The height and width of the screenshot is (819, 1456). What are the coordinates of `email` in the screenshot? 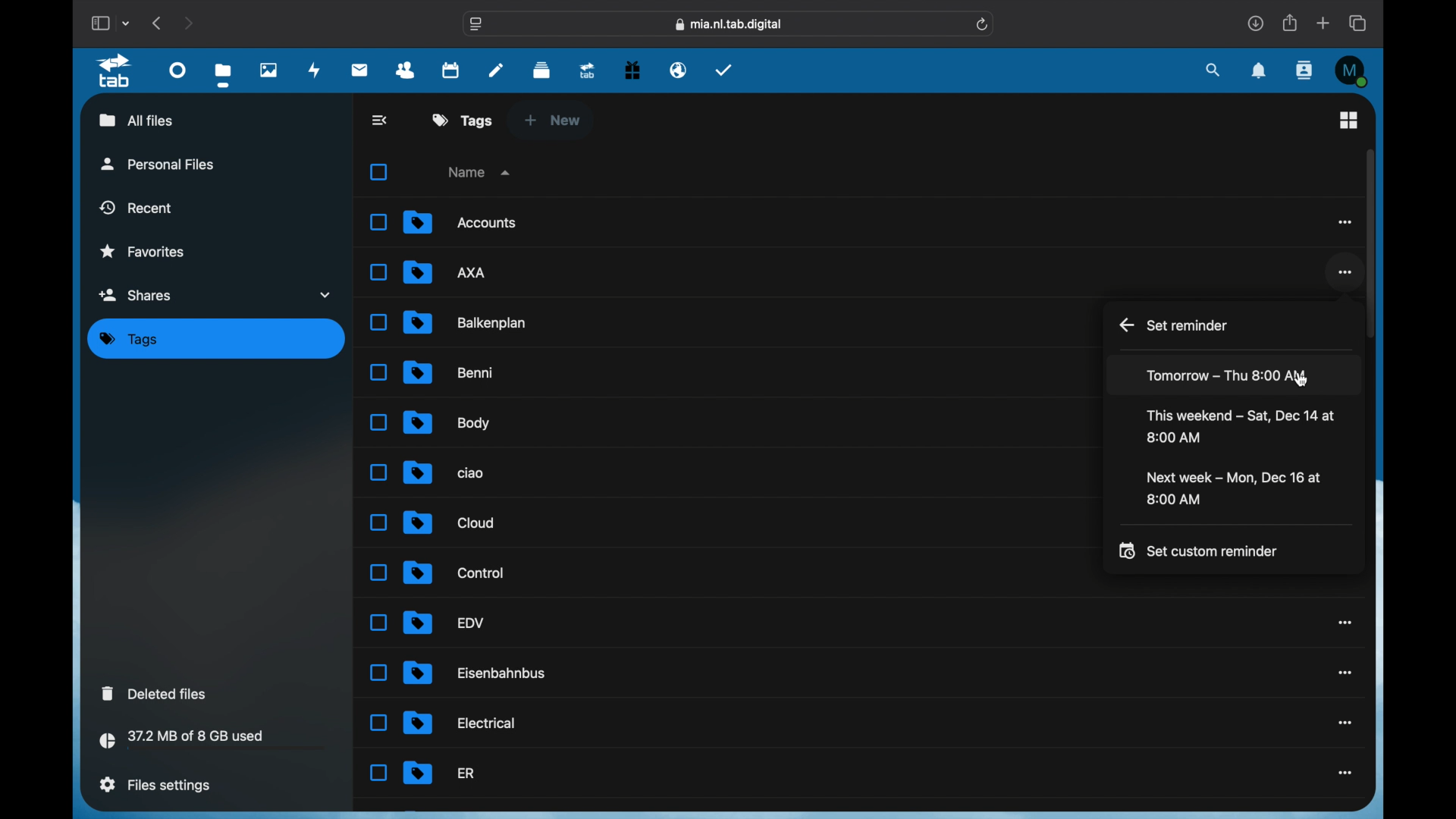 It's located at (678, 69).